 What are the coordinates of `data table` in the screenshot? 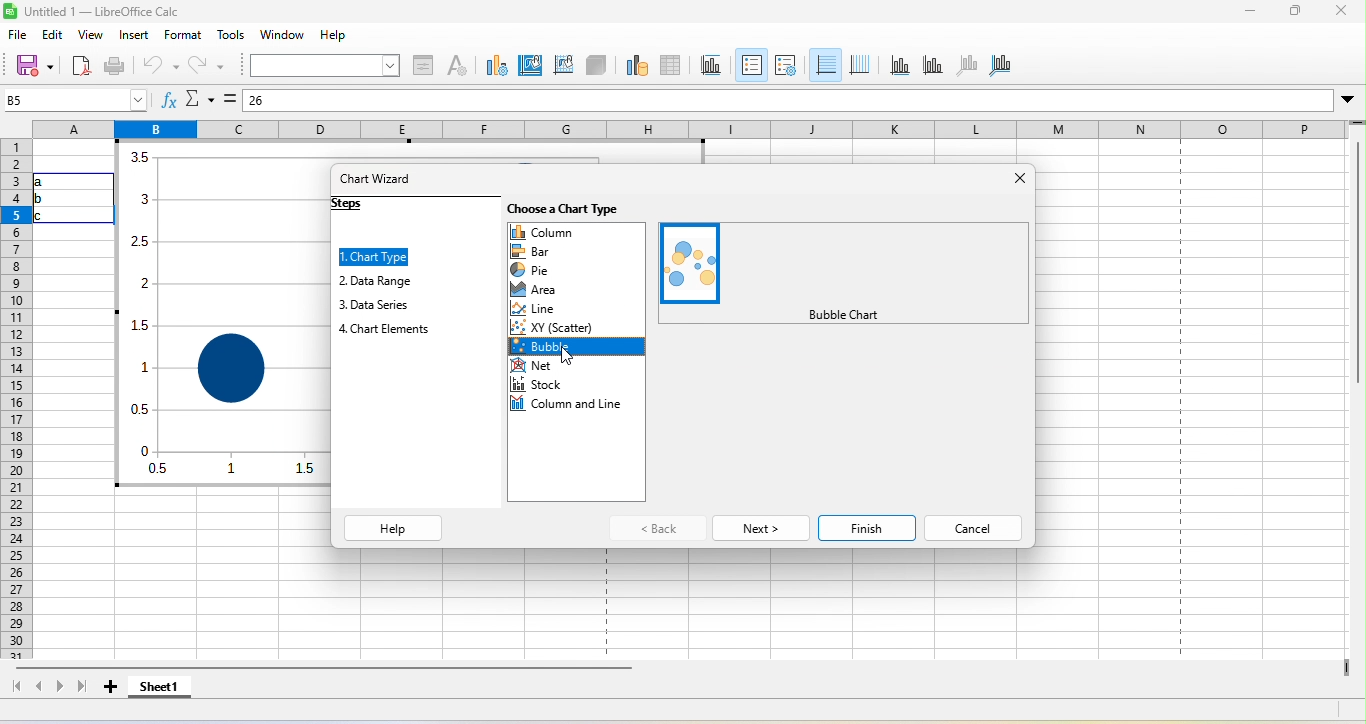 It's located at (670, 66).